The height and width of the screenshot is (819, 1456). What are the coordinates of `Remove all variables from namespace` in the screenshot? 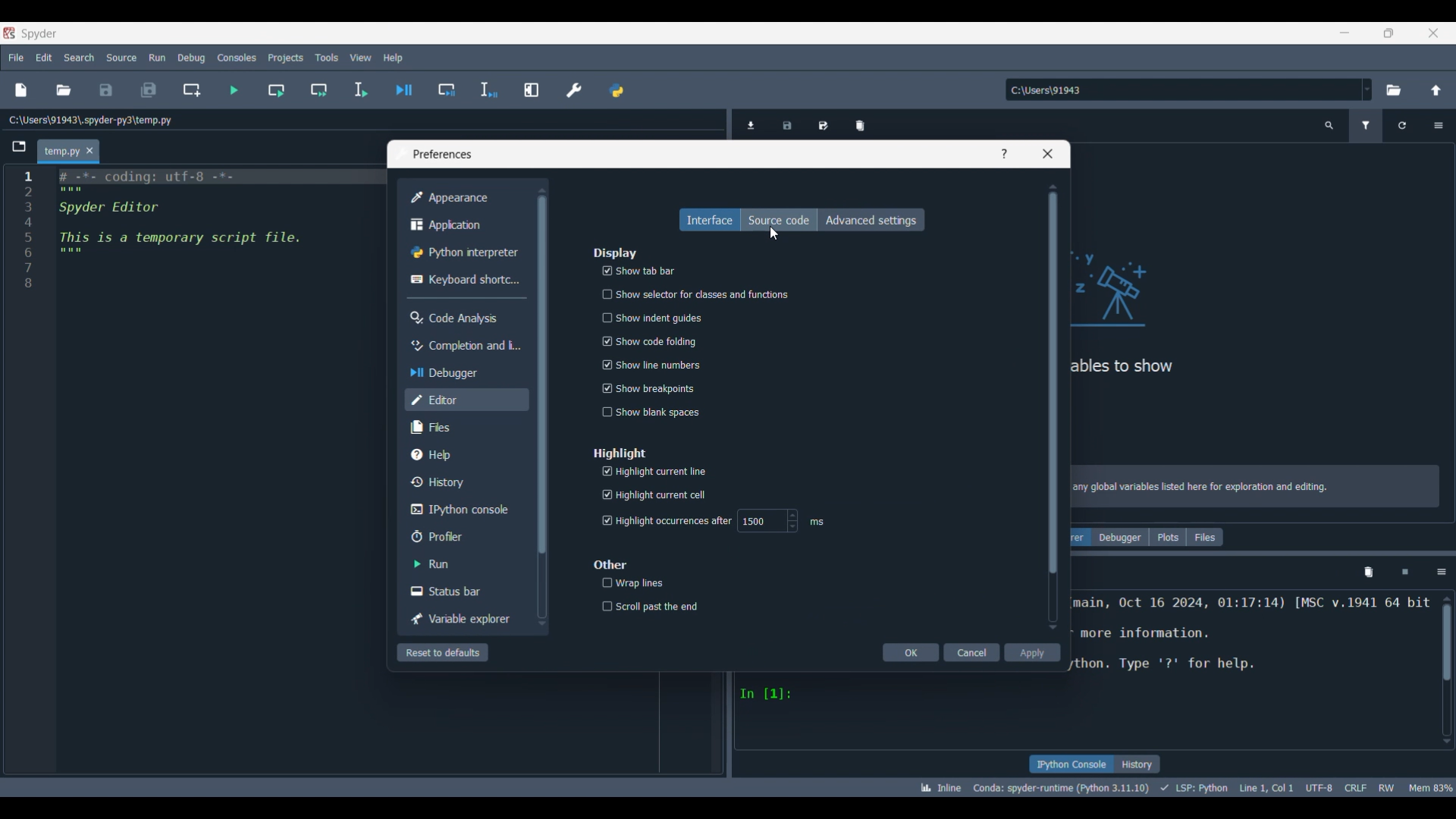 It's located at (1368, 573).